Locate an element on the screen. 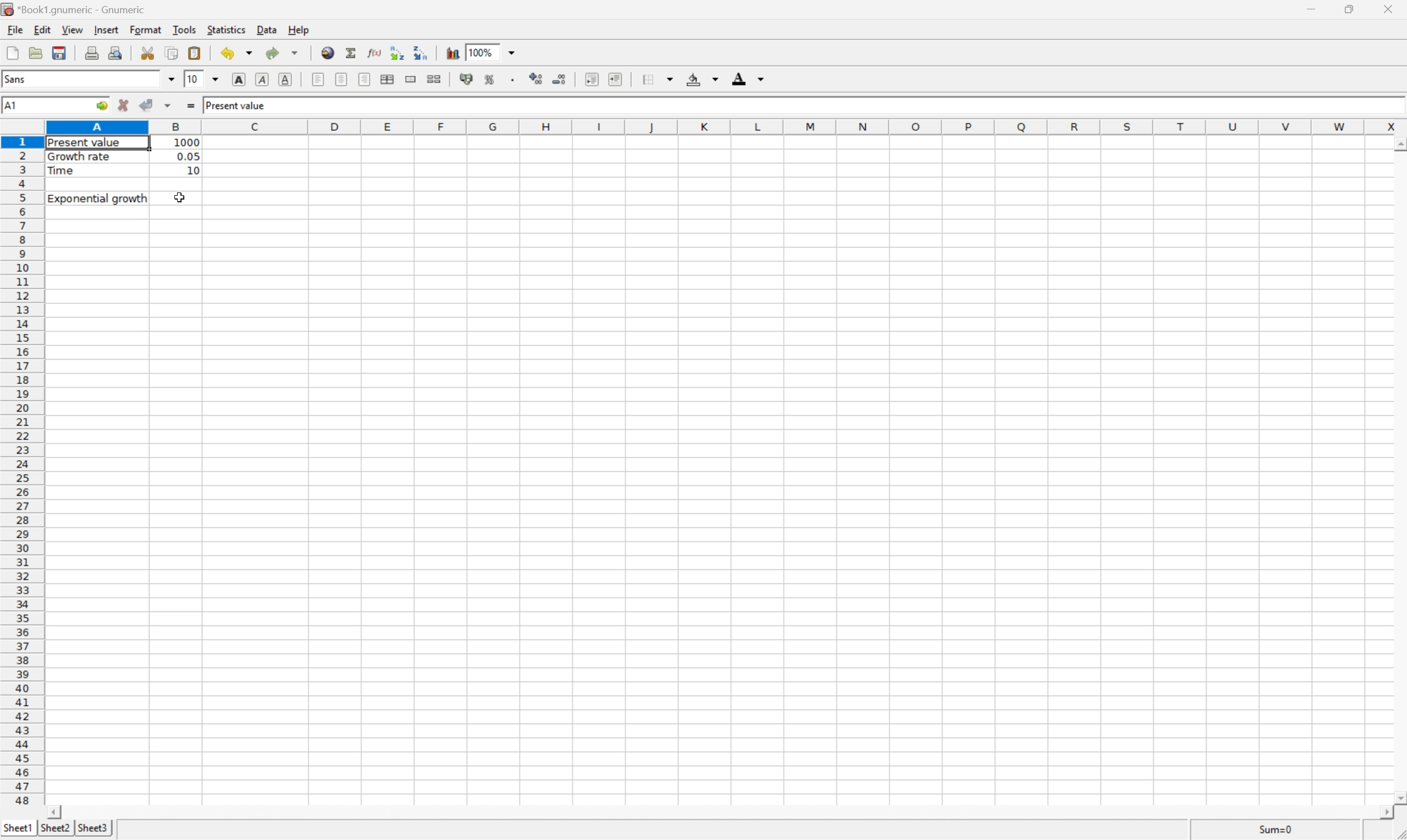 The height and width of the screenshot is (840, 1407). Set the format of the selected cells to include a thousands separator is located at coordinates (514, 80).